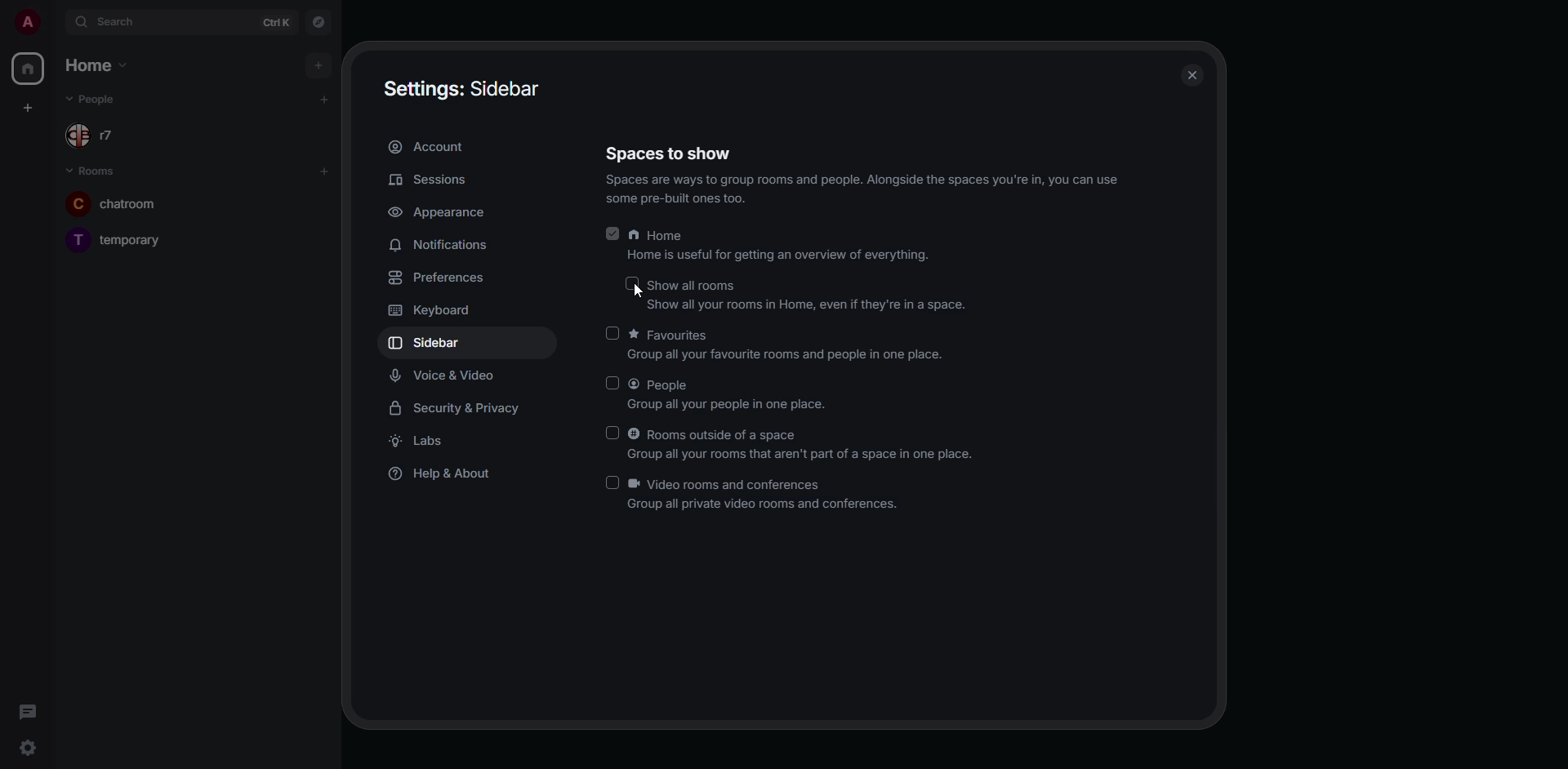  I want to click on home, so click(28, 68).